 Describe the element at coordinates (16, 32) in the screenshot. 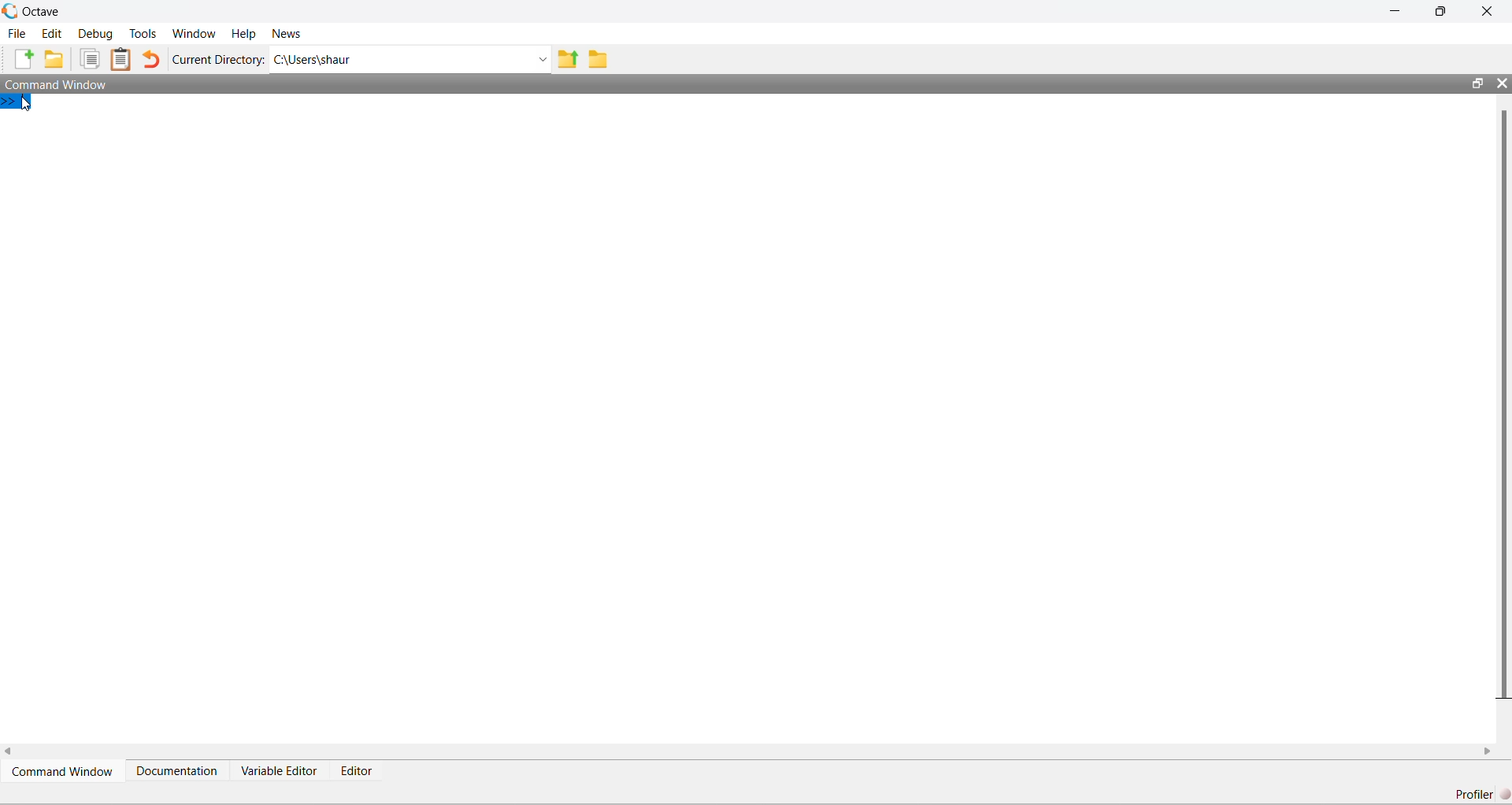

I see `File` at that location.